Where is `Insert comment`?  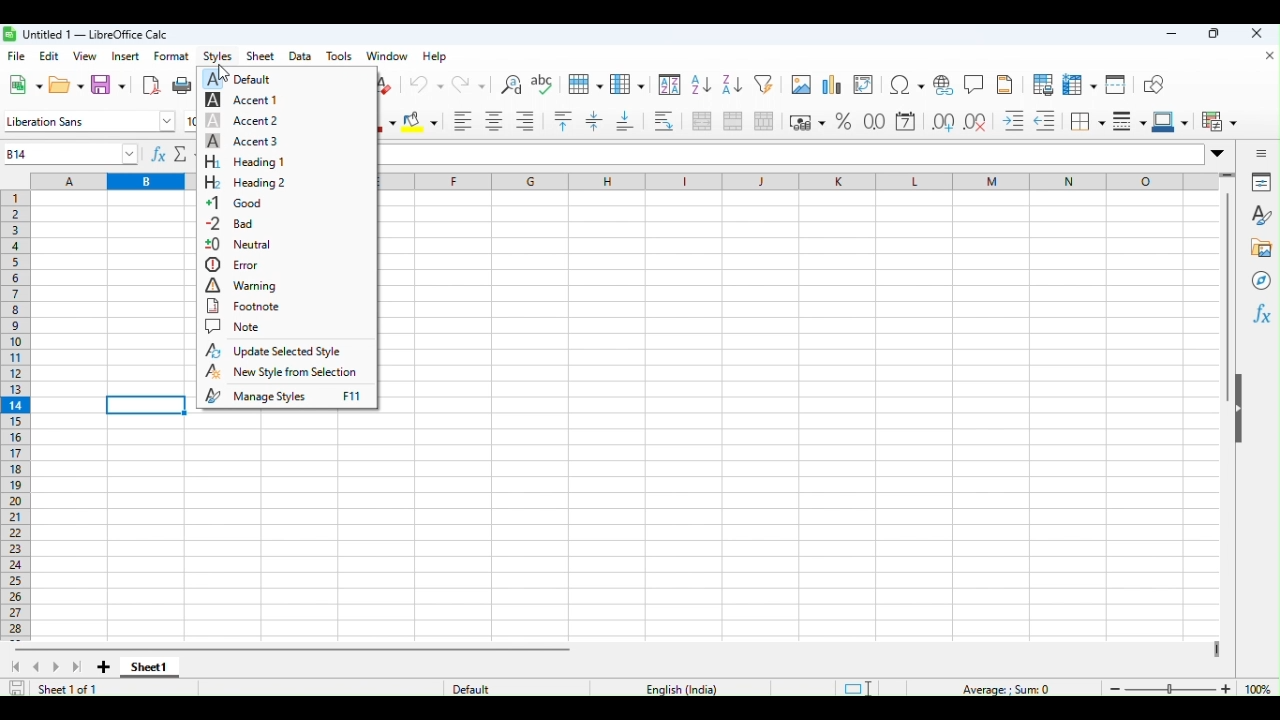 Insert comment is located at coordinates (975, 83).